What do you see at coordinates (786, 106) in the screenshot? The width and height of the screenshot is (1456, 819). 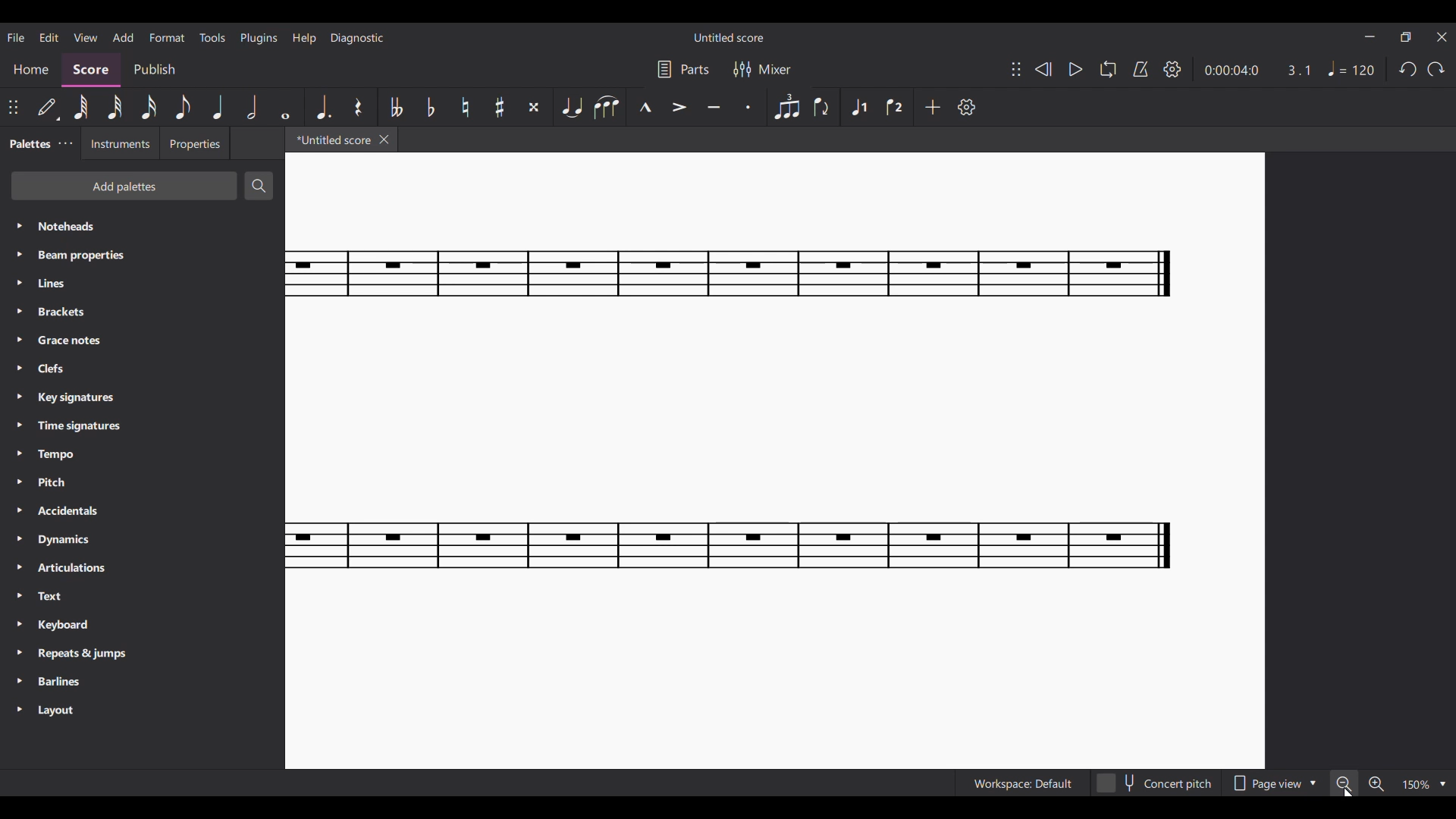 I see `Tuplet` at bounding box center [786, 106].